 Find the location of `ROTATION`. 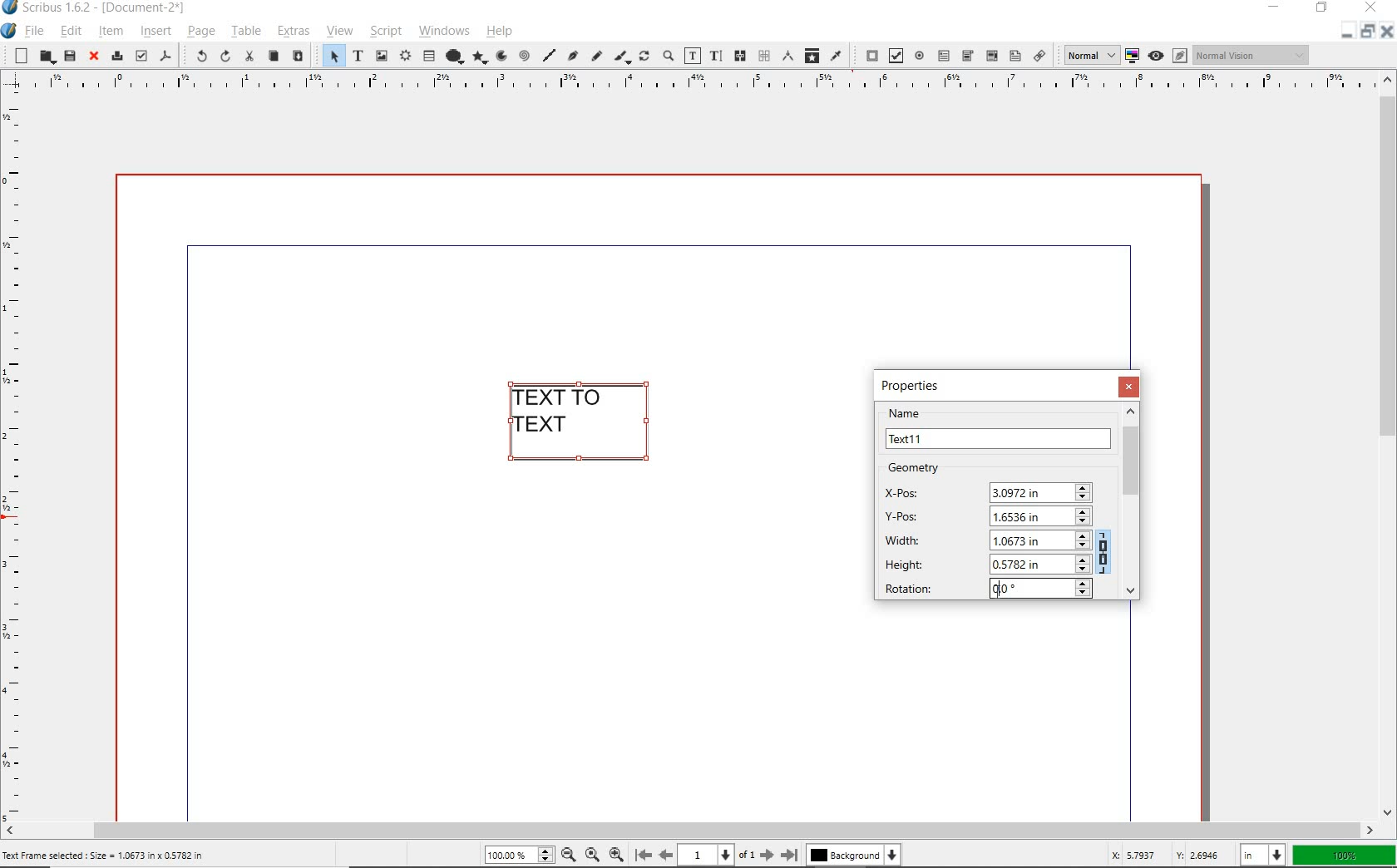

ROTATION is located at coordinates (985, 589).